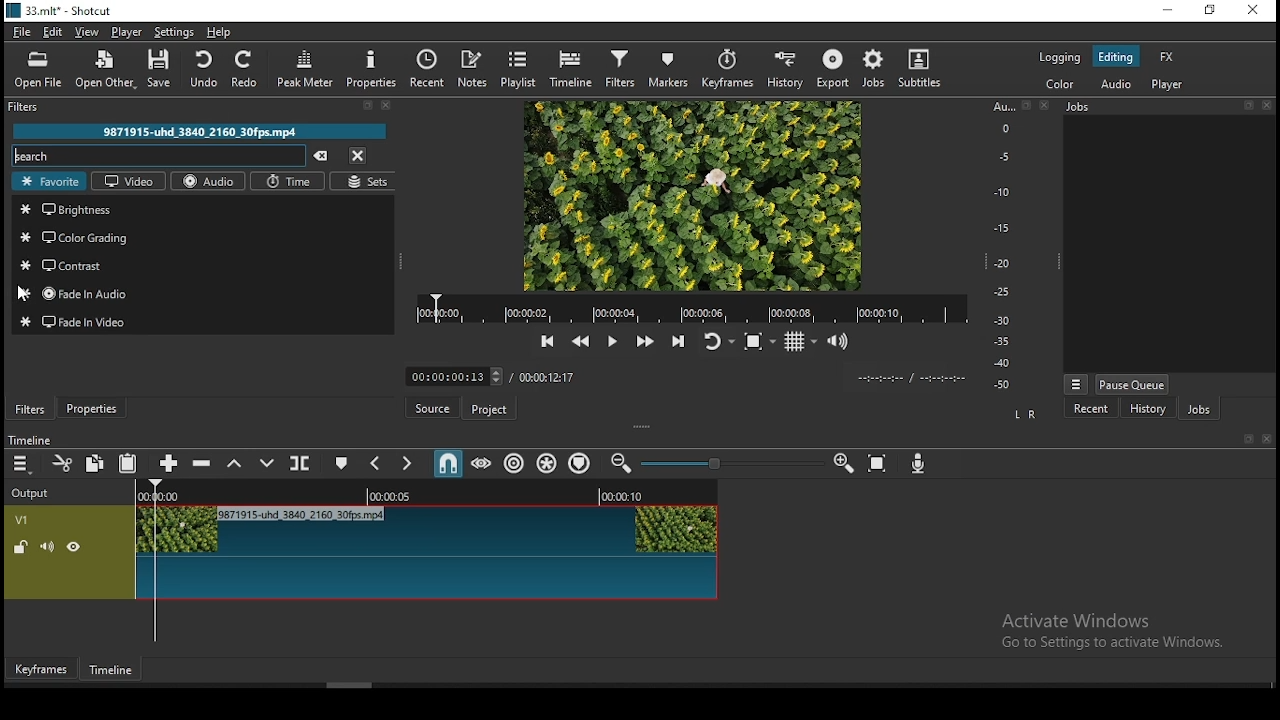  What do you see at coordinates (1007, 155) in the screenshot?
I see `-5` at bounding box center [1007, 155].